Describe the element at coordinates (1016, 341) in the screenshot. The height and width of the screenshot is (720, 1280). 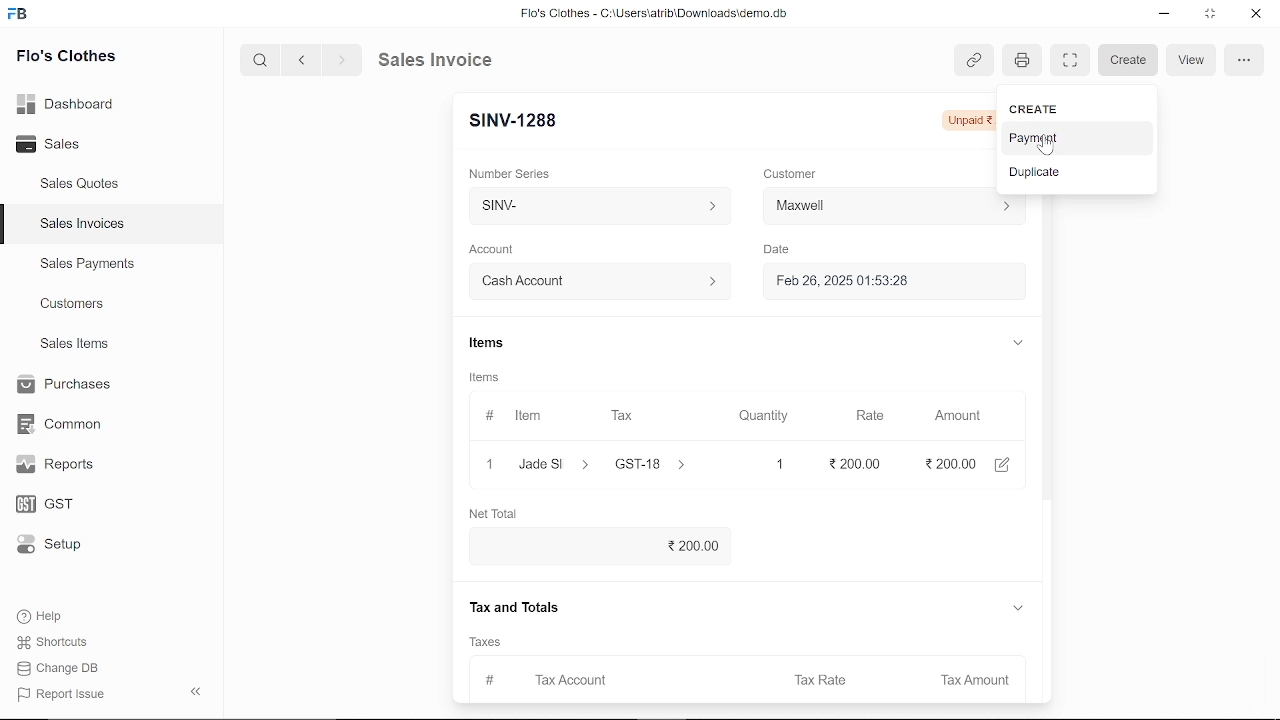
I see `expand` at that location.